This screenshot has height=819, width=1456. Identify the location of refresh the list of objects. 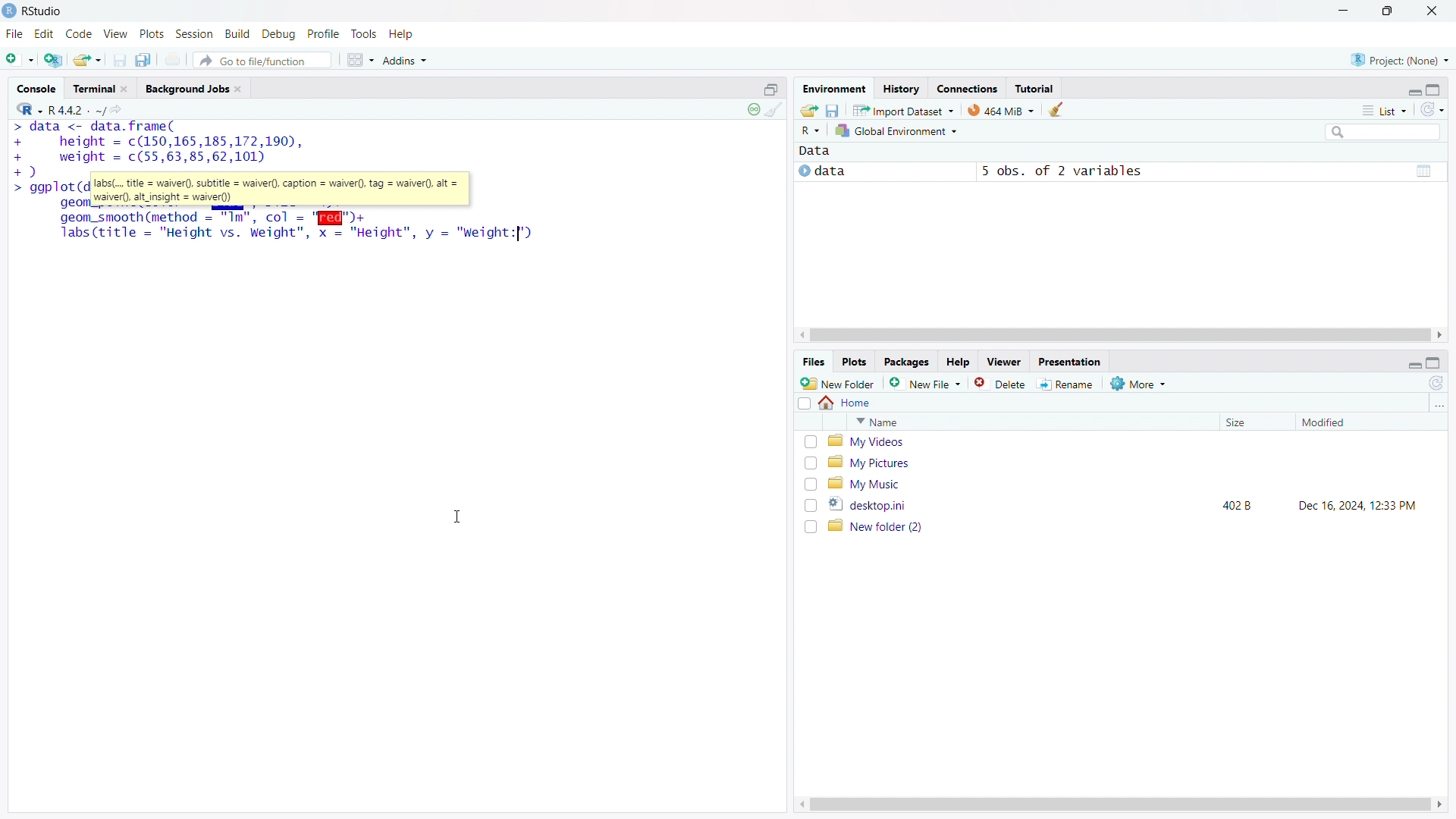
(1432, 109).